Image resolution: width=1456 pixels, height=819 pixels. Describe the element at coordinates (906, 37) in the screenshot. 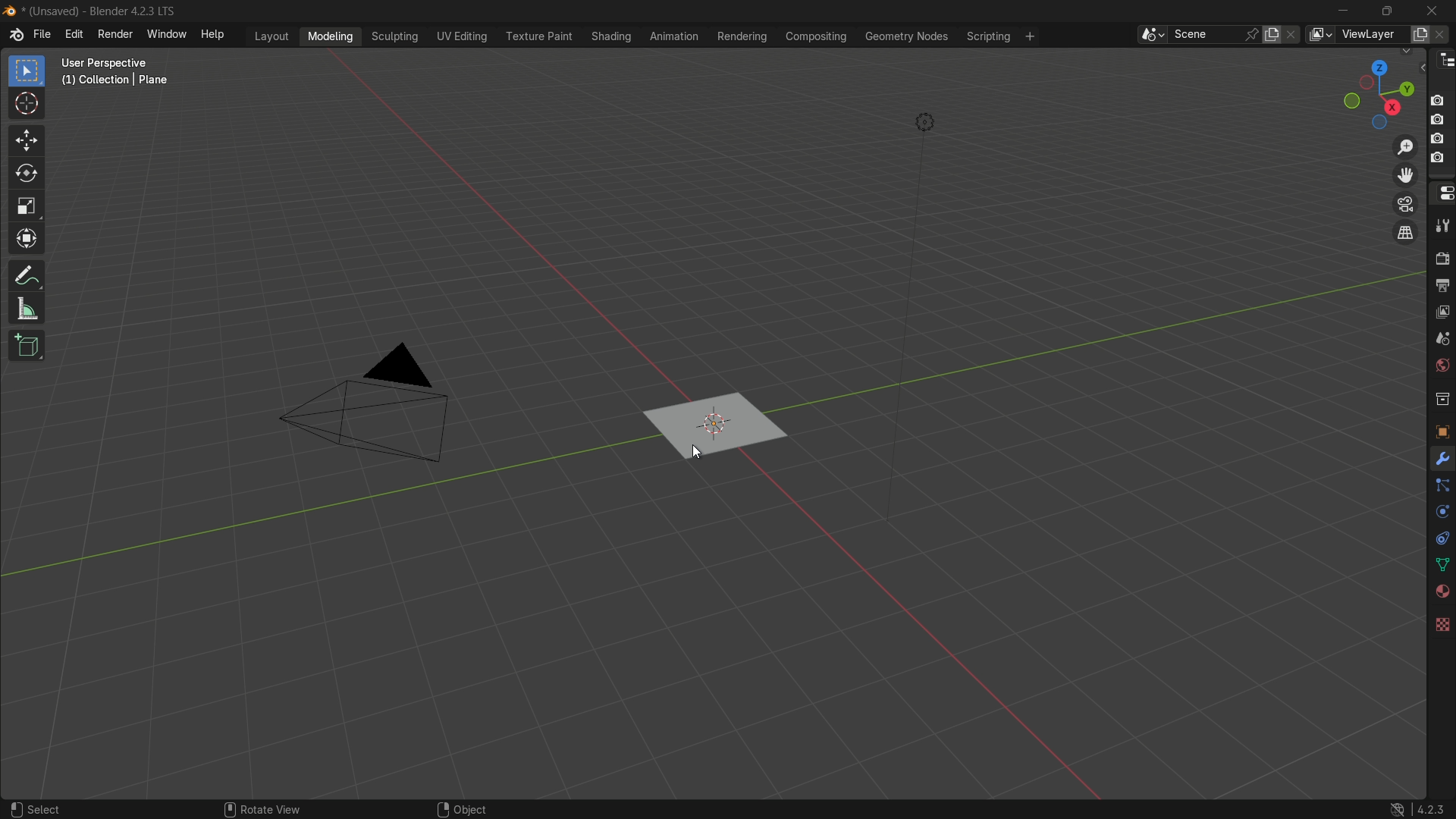

I see `geometry nodes` at that location.